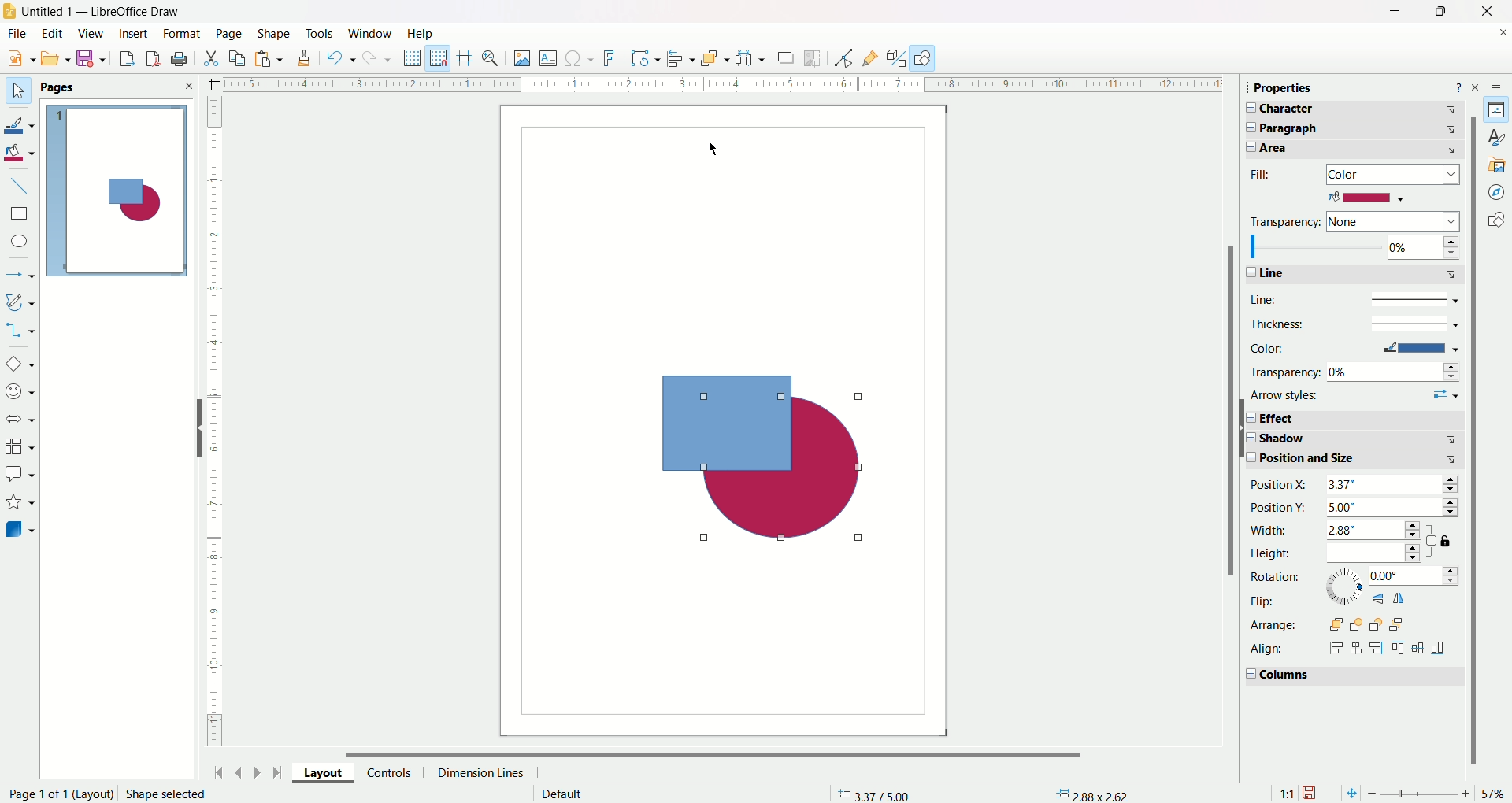  I want to click on horizontal ruler, so click(717, 86).